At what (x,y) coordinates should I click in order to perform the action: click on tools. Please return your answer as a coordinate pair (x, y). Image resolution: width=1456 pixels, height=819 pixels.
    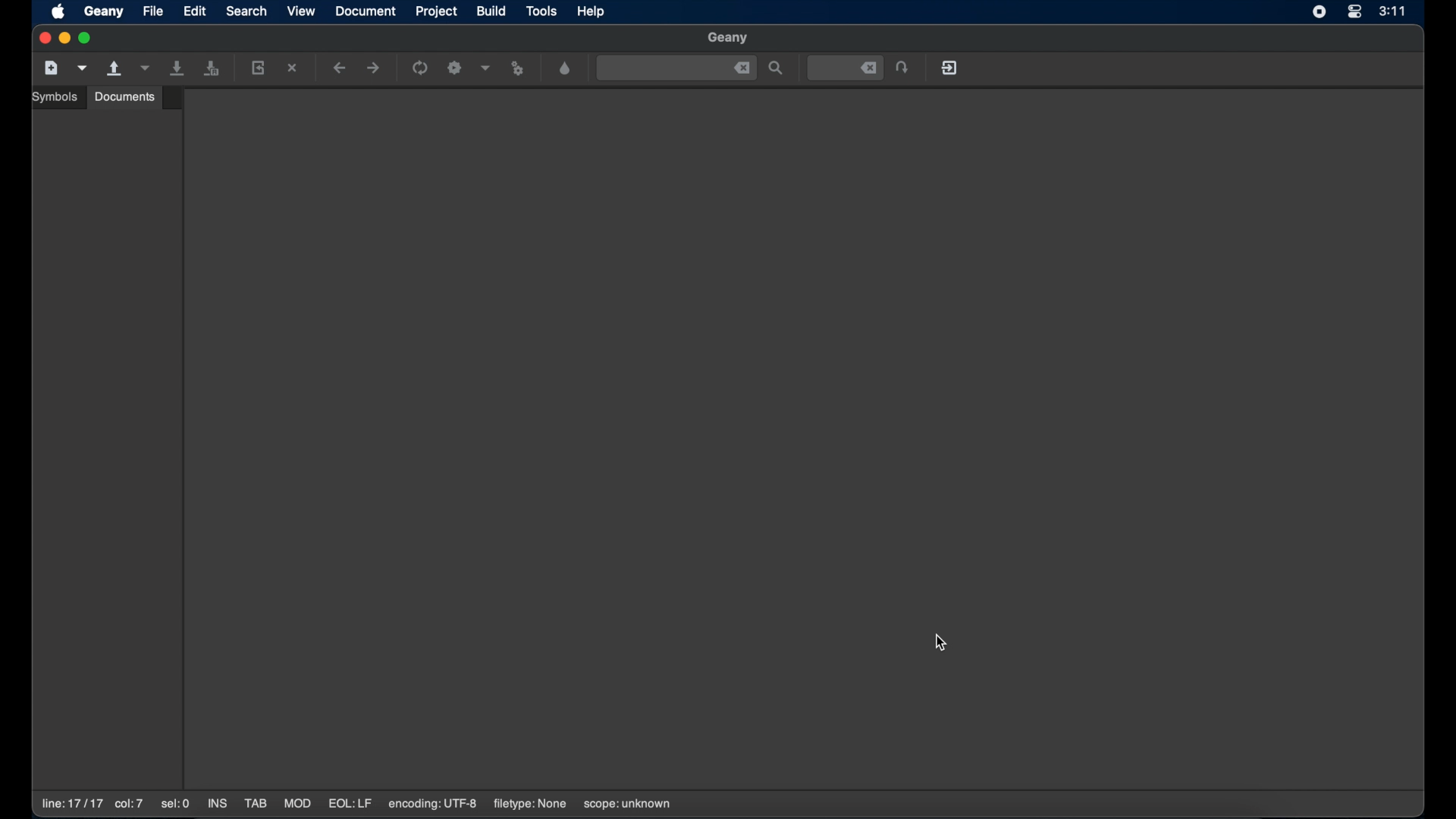
    Looking at the image, I should click on (542, 12).